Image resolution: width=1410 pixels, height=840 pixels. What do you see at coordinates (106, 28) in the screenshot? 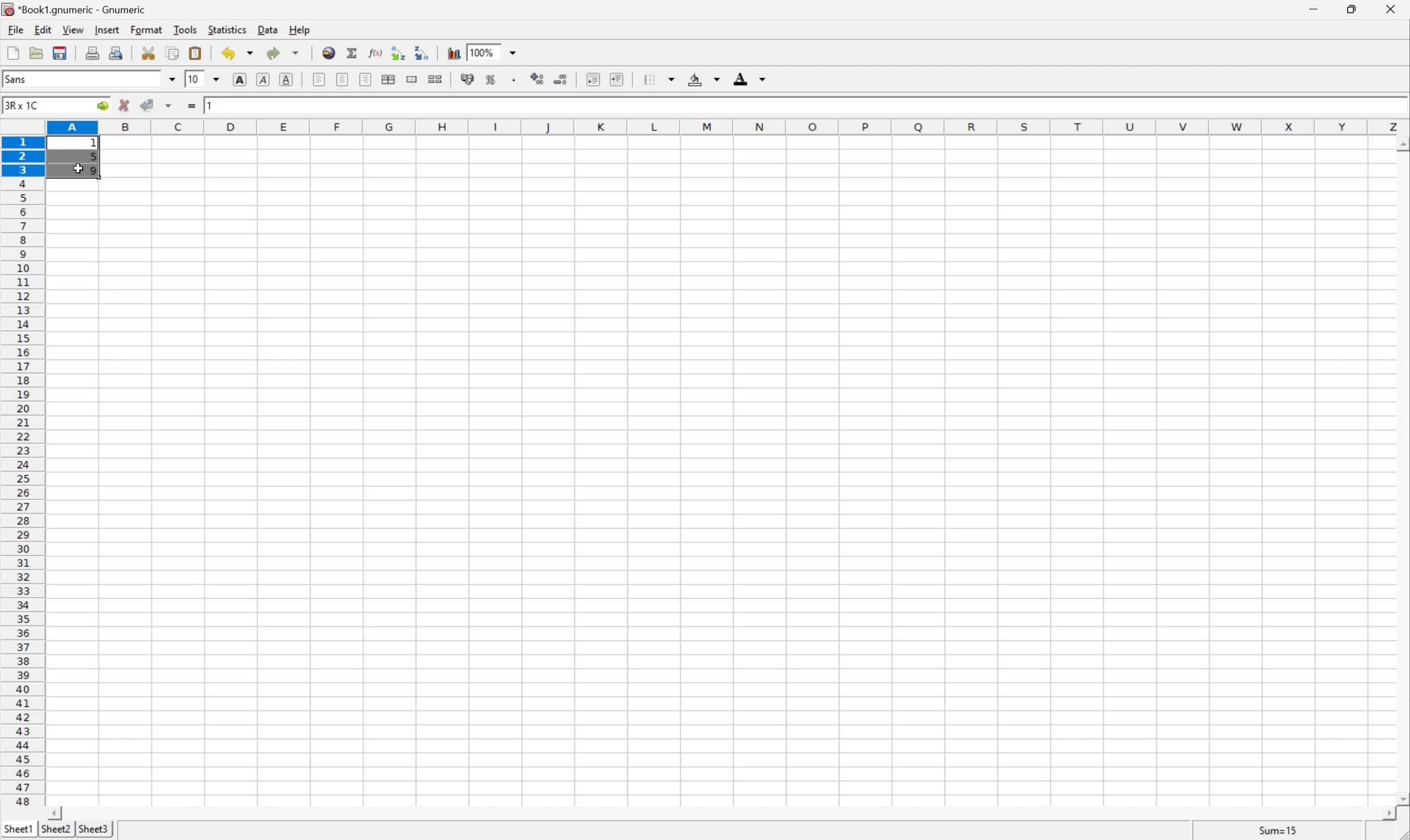
I see `insert` at bounding box center [106, 28].